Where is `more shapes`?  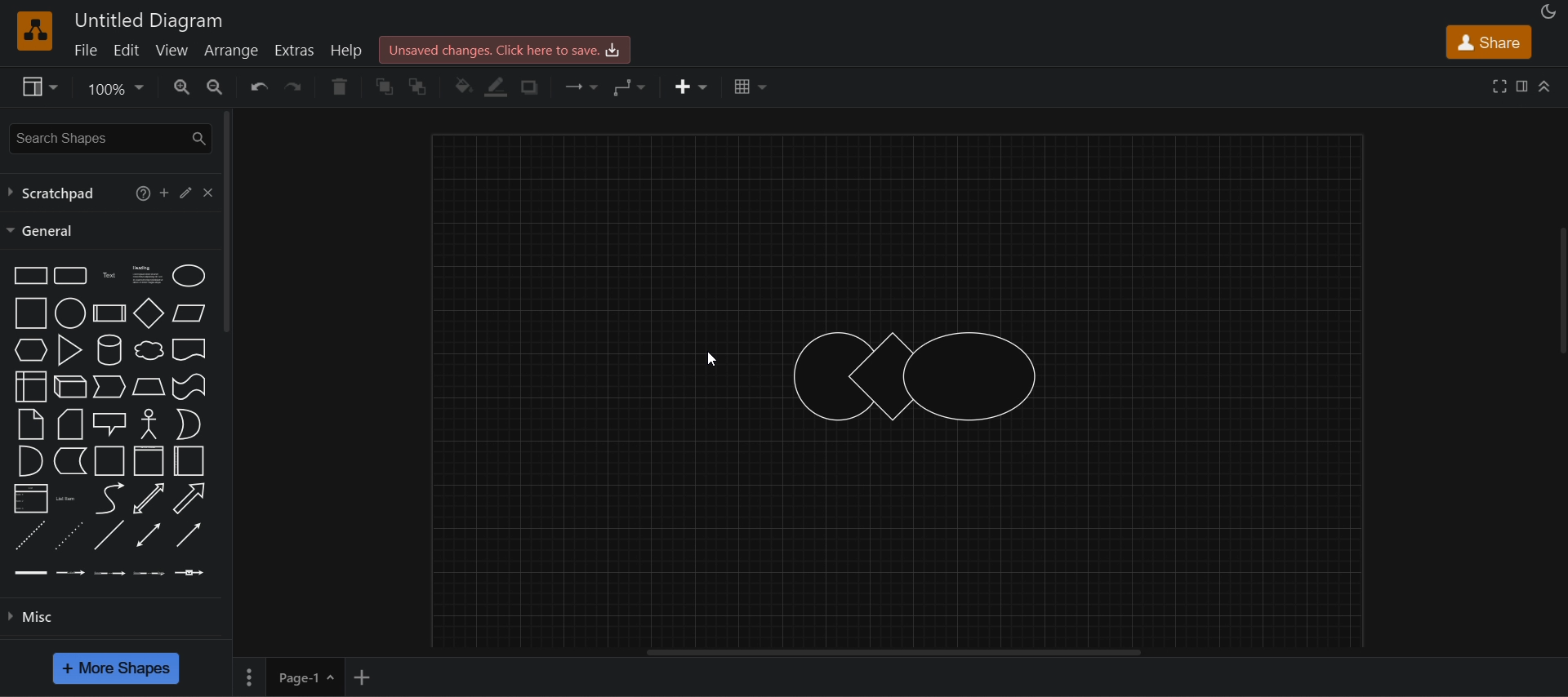
more shapes is located at coordinates (114, 668).